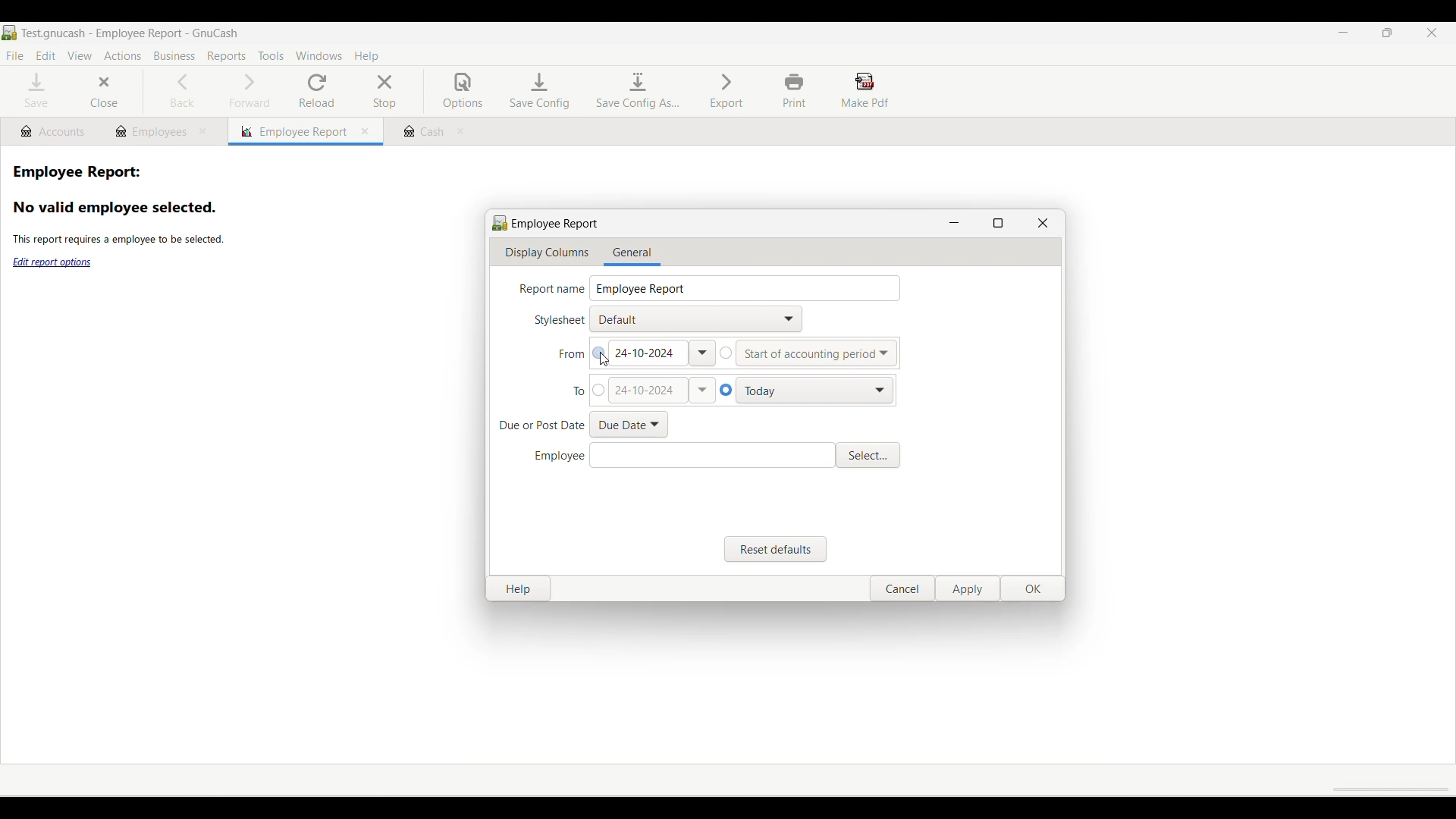 This screenshot has width=1456, height=819. Describe the element at coordinates (902, 588) in the screenshot. I see `Cancel saving changes` at that location.